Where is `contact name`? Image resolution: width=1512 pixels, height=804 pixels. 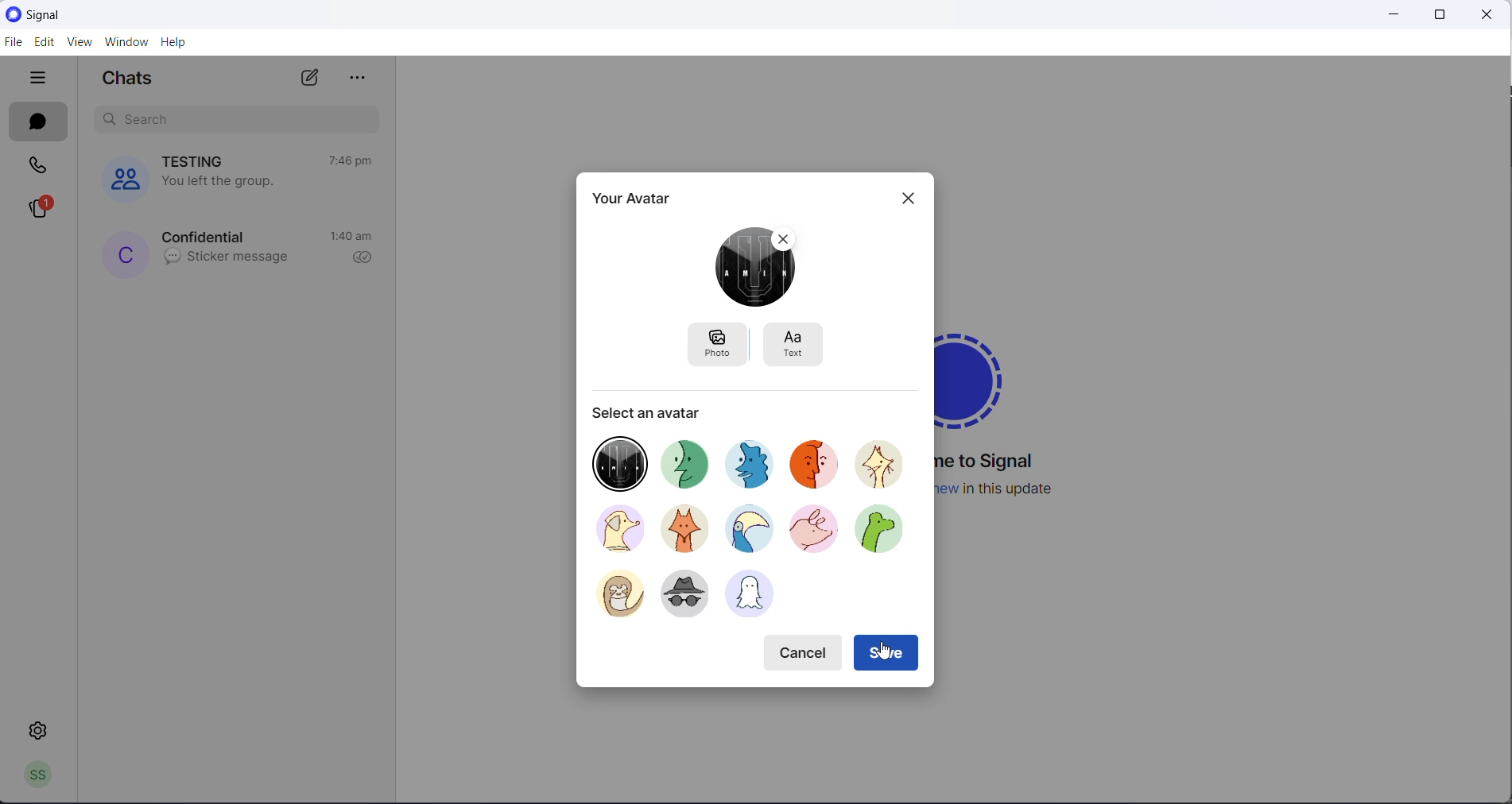
contact name is located at coordinates (207, 236).